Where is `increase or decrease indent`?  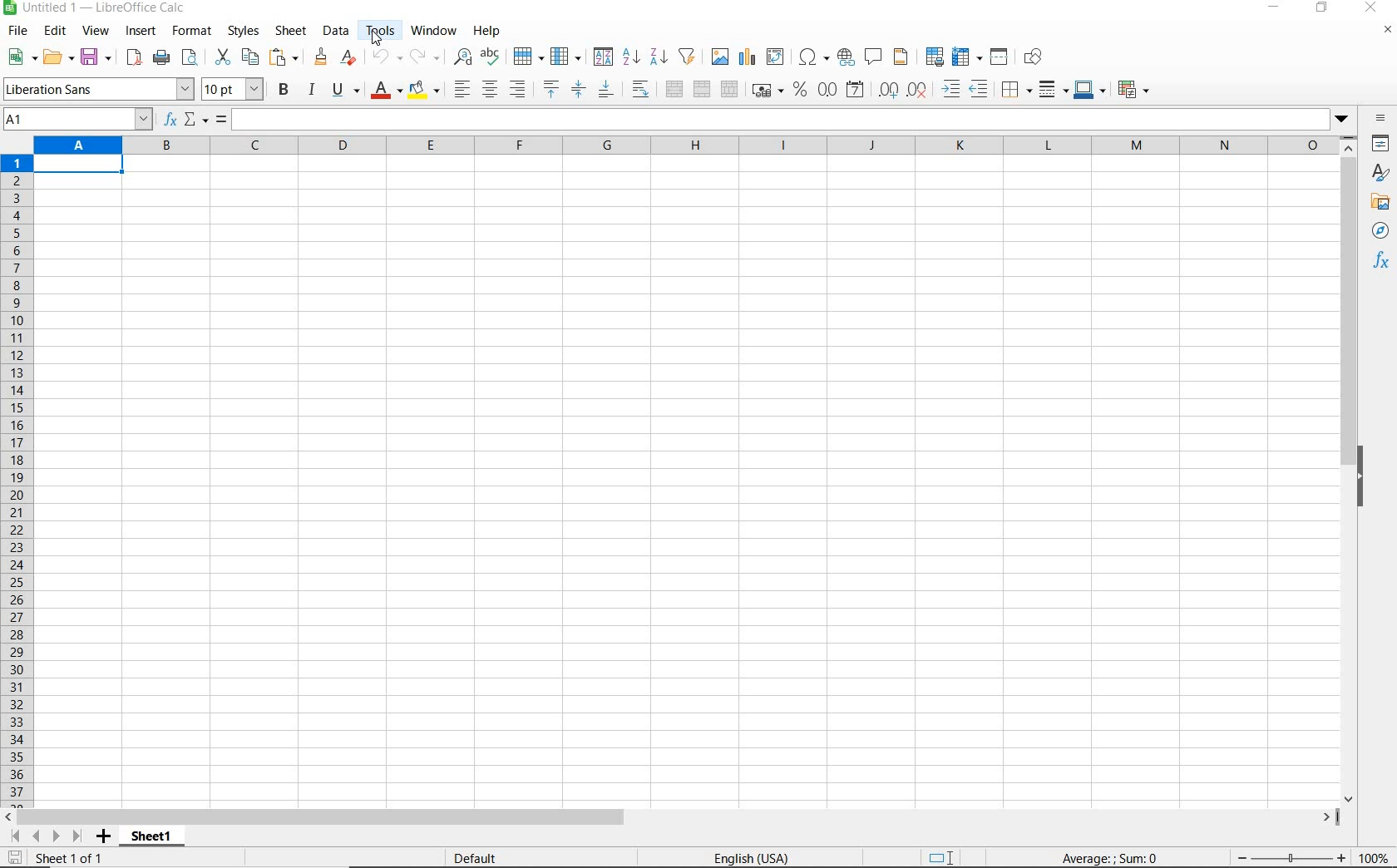
increase or decrease indent is located at coordinates (962, 88).